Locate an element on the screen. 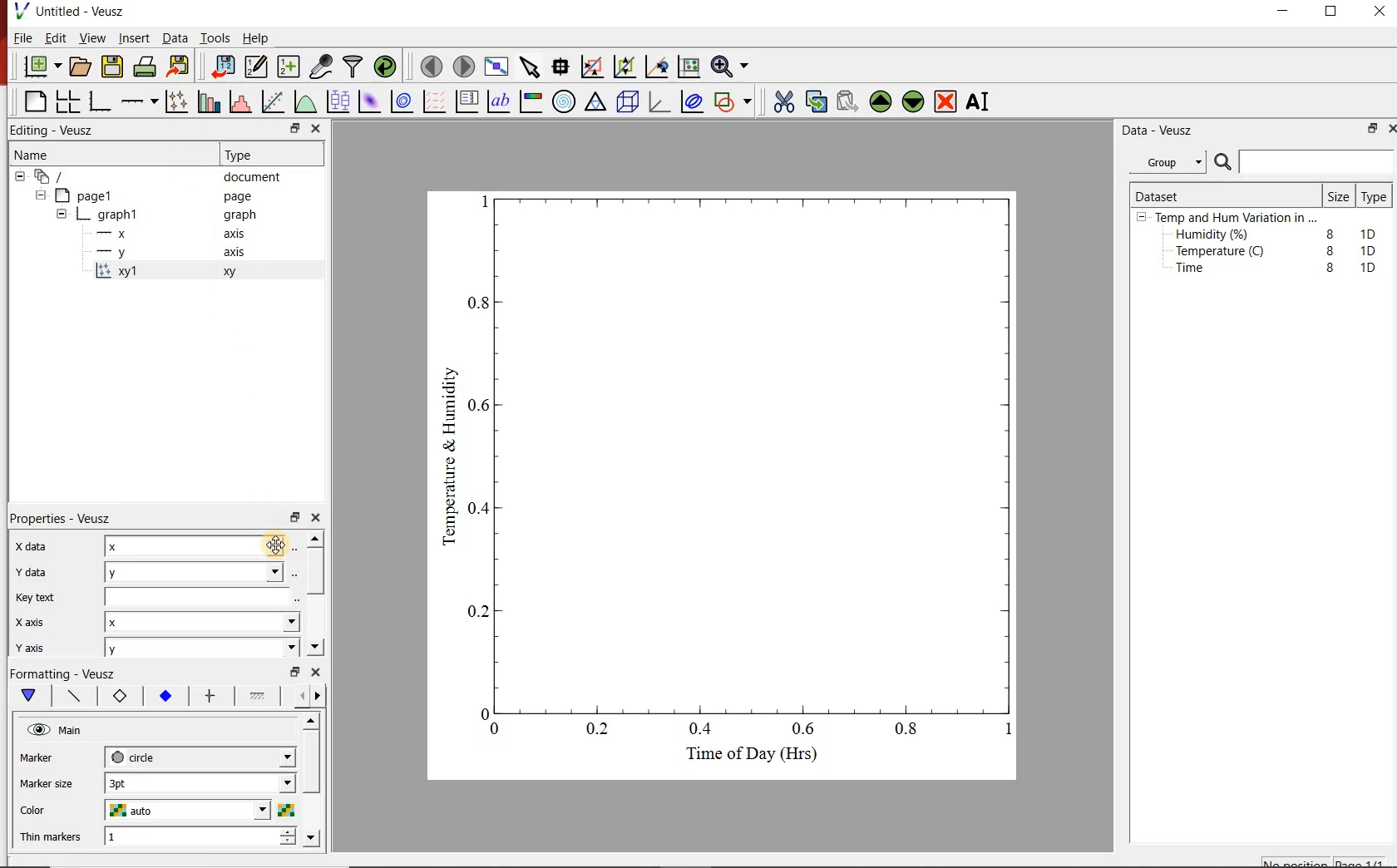 The height and width of the screenshot is (868, 1397). reload linked datasets is located at coordinates (385, 67).